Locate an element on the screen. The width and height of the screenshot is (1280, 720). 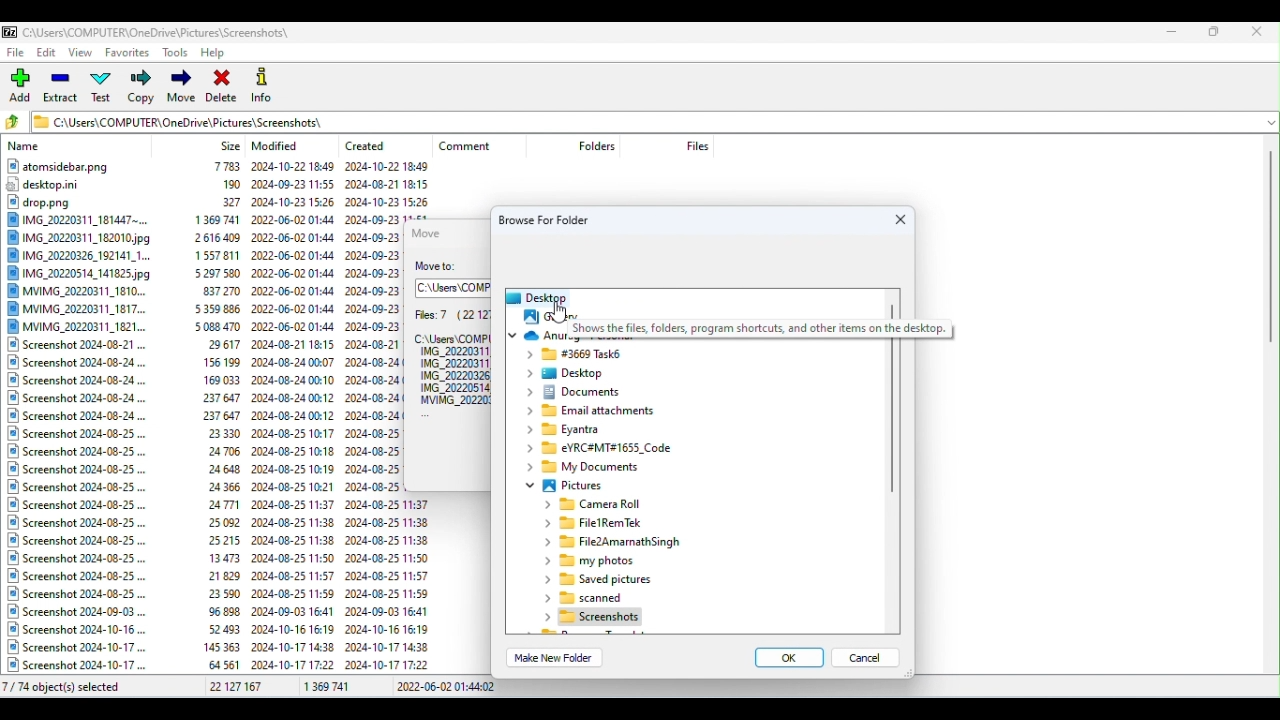
Folder is located at coordinates (602, 523).